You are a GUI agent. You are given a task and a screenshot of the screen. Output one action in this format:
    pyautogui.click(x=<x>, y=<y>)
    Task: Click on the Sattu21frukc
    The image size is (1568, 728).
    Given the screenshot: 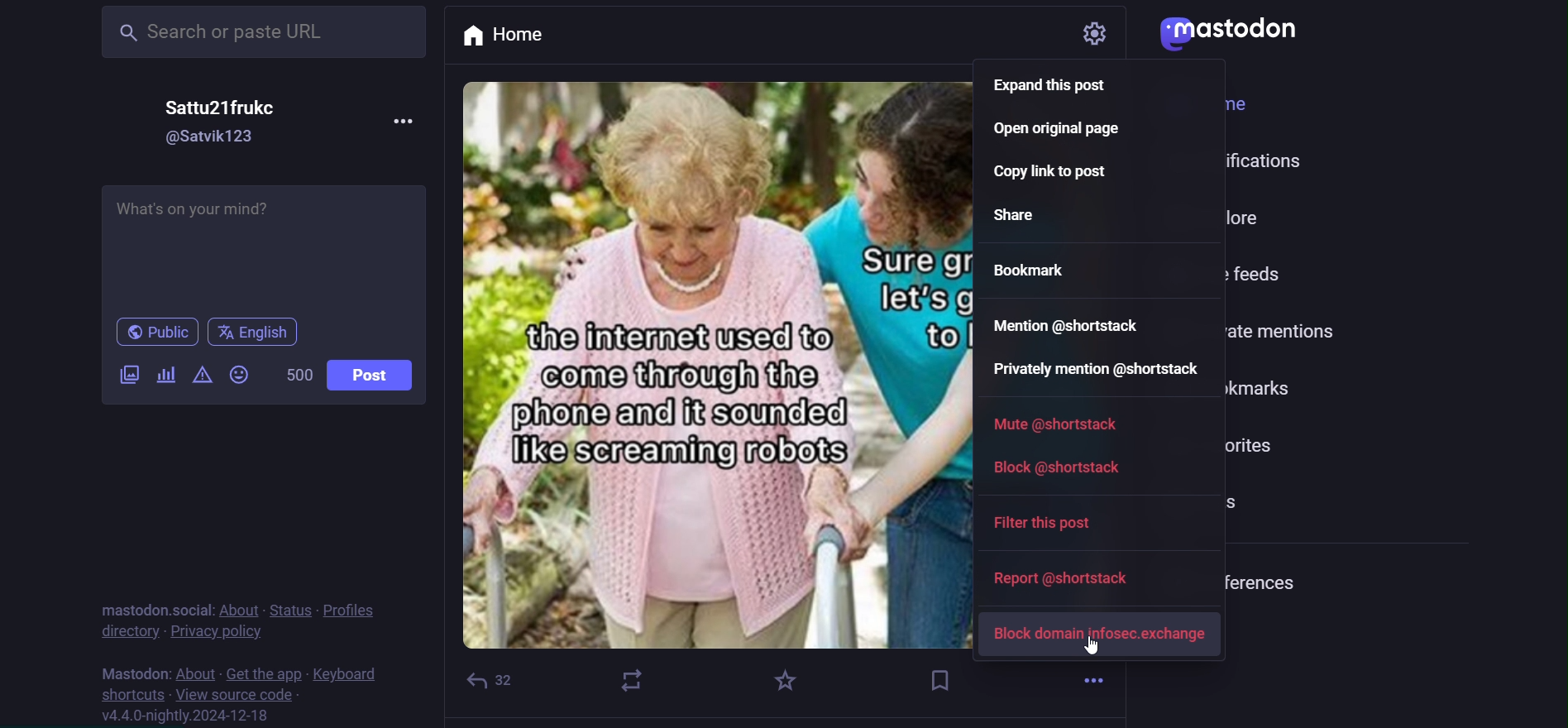 What is the action you would take?
    pyautogui.click(x=222, y=108)
    